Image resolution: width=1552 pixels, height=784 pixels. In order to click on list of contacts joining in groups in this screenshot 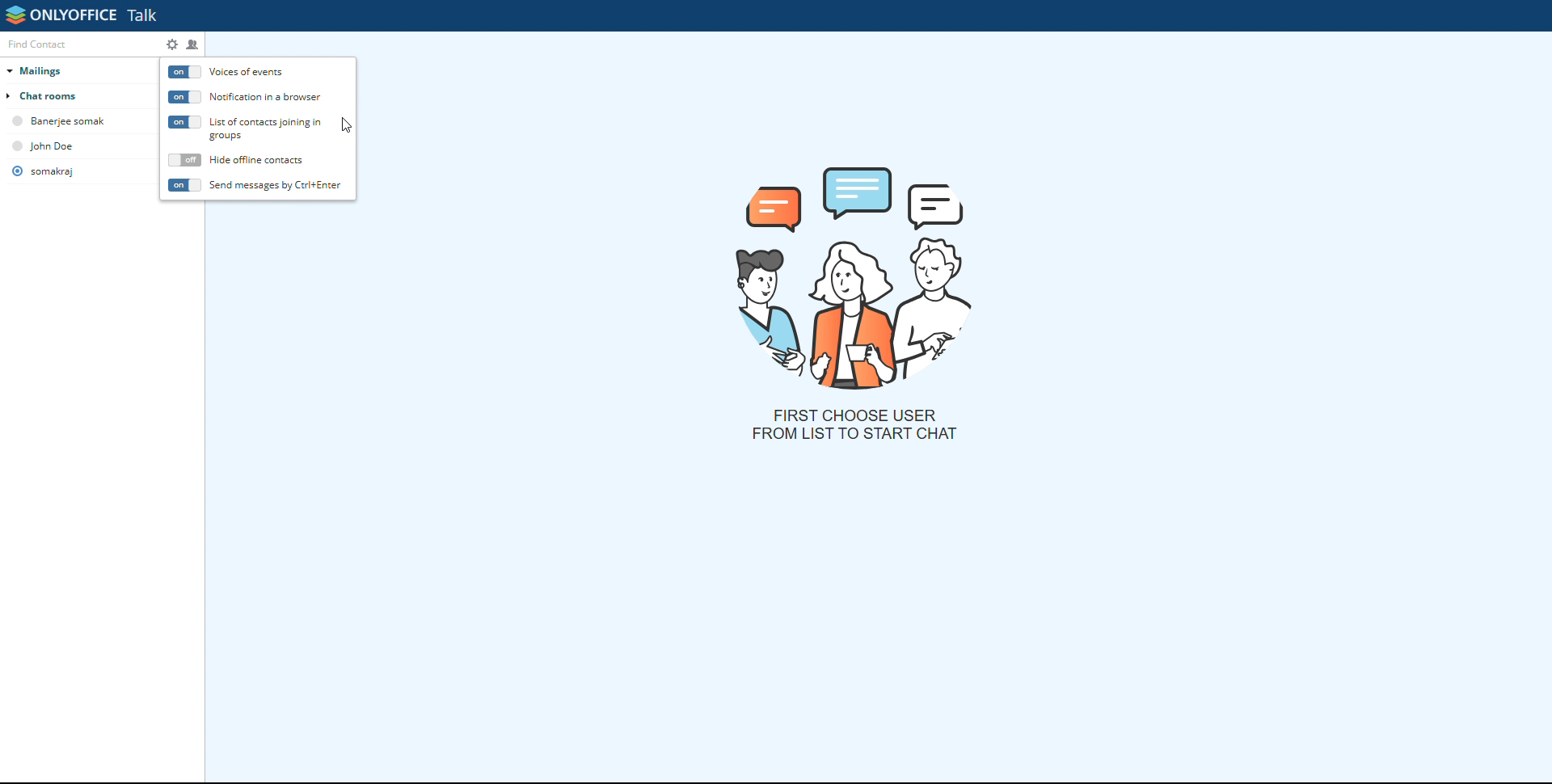, I will do `click(184, 122)`.